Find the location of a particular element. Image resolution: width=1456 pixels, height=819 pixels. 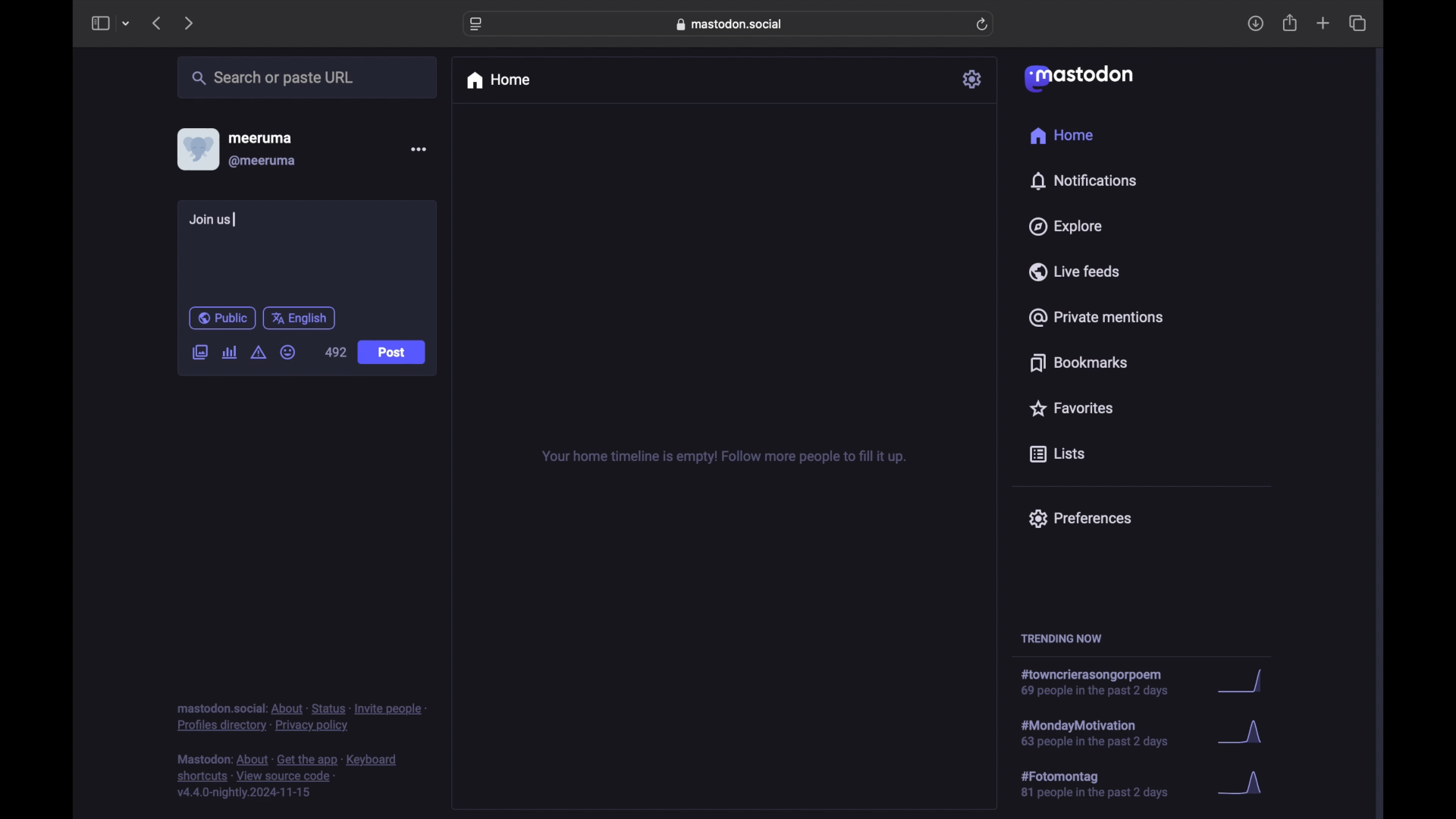

text cursor is located at coordinates (231, 221).